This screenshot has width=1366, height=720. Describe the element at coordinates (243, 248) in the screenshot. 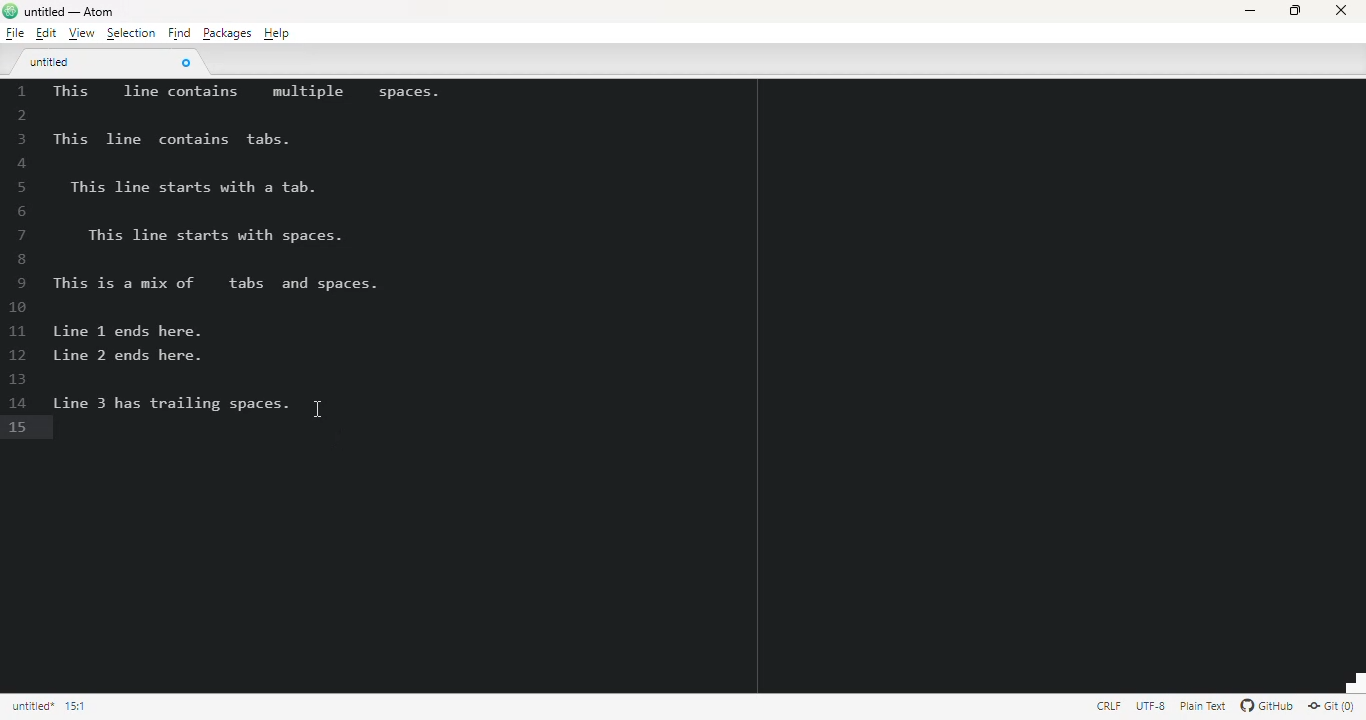

I see `demo text` at that location.